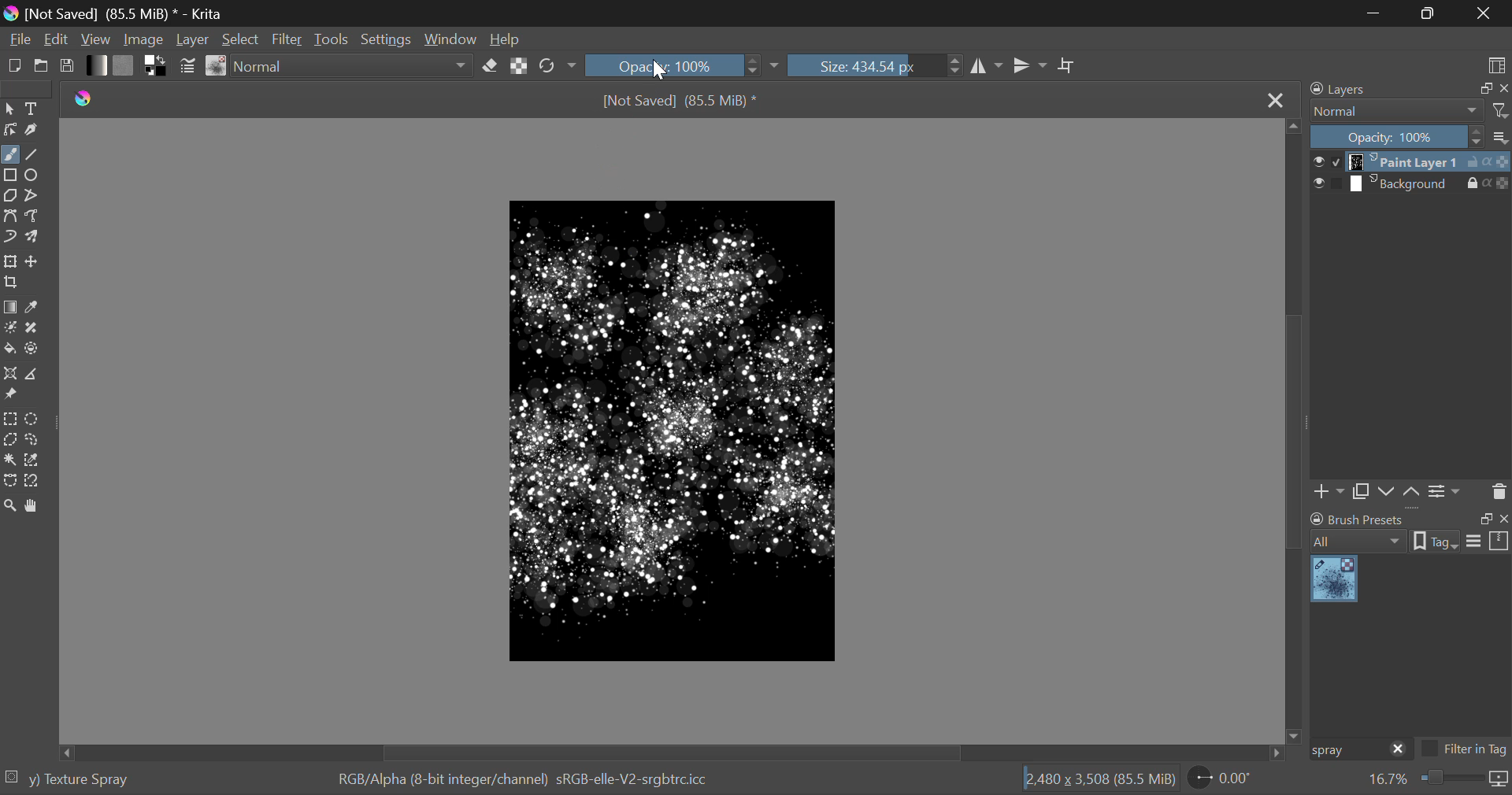 This screenshot has width=1512, height=795. I want to click on Rectanle, so click(10, 176).